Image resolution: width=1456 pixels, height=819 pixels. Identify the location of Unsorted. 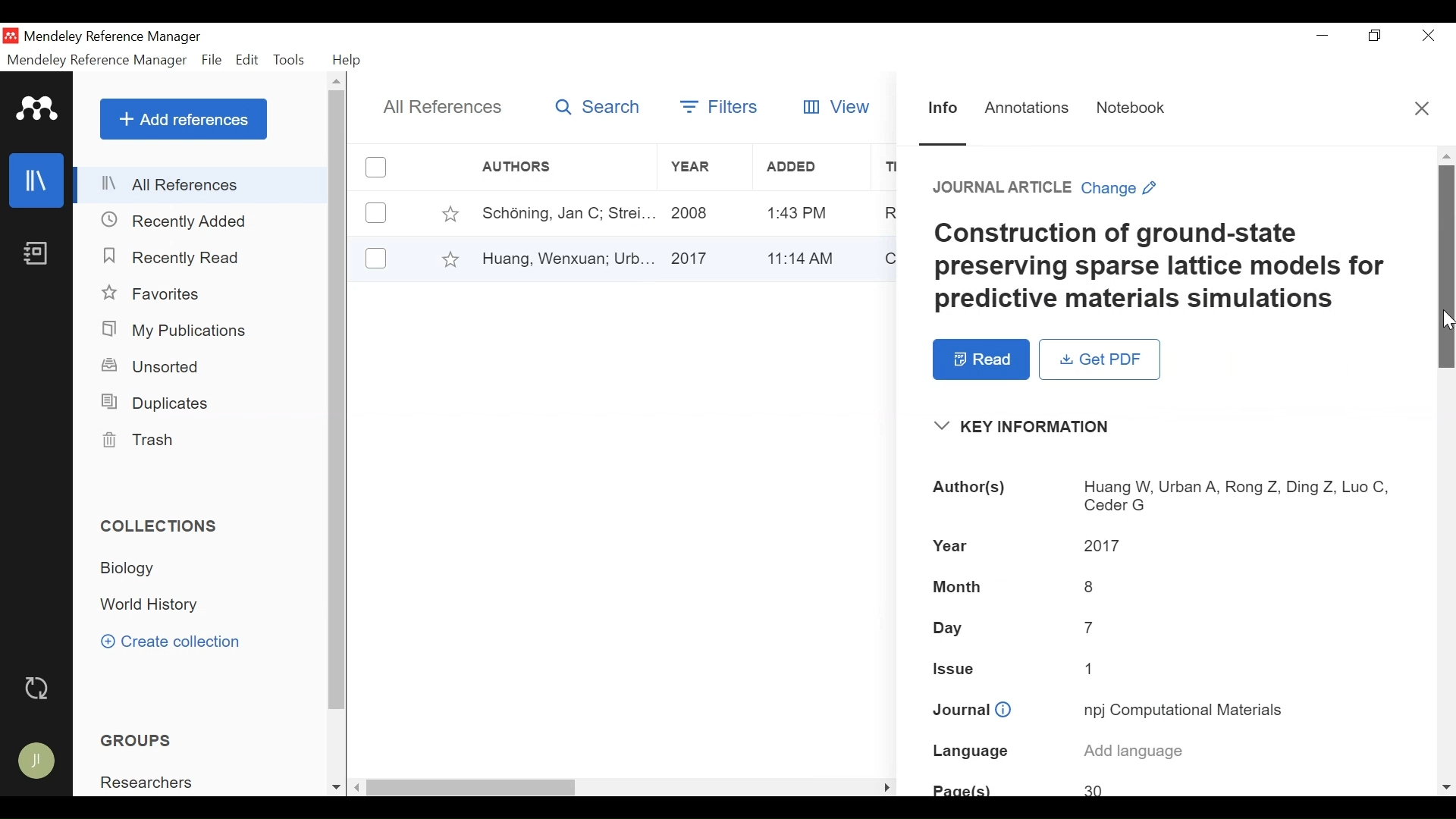
(152, 366).